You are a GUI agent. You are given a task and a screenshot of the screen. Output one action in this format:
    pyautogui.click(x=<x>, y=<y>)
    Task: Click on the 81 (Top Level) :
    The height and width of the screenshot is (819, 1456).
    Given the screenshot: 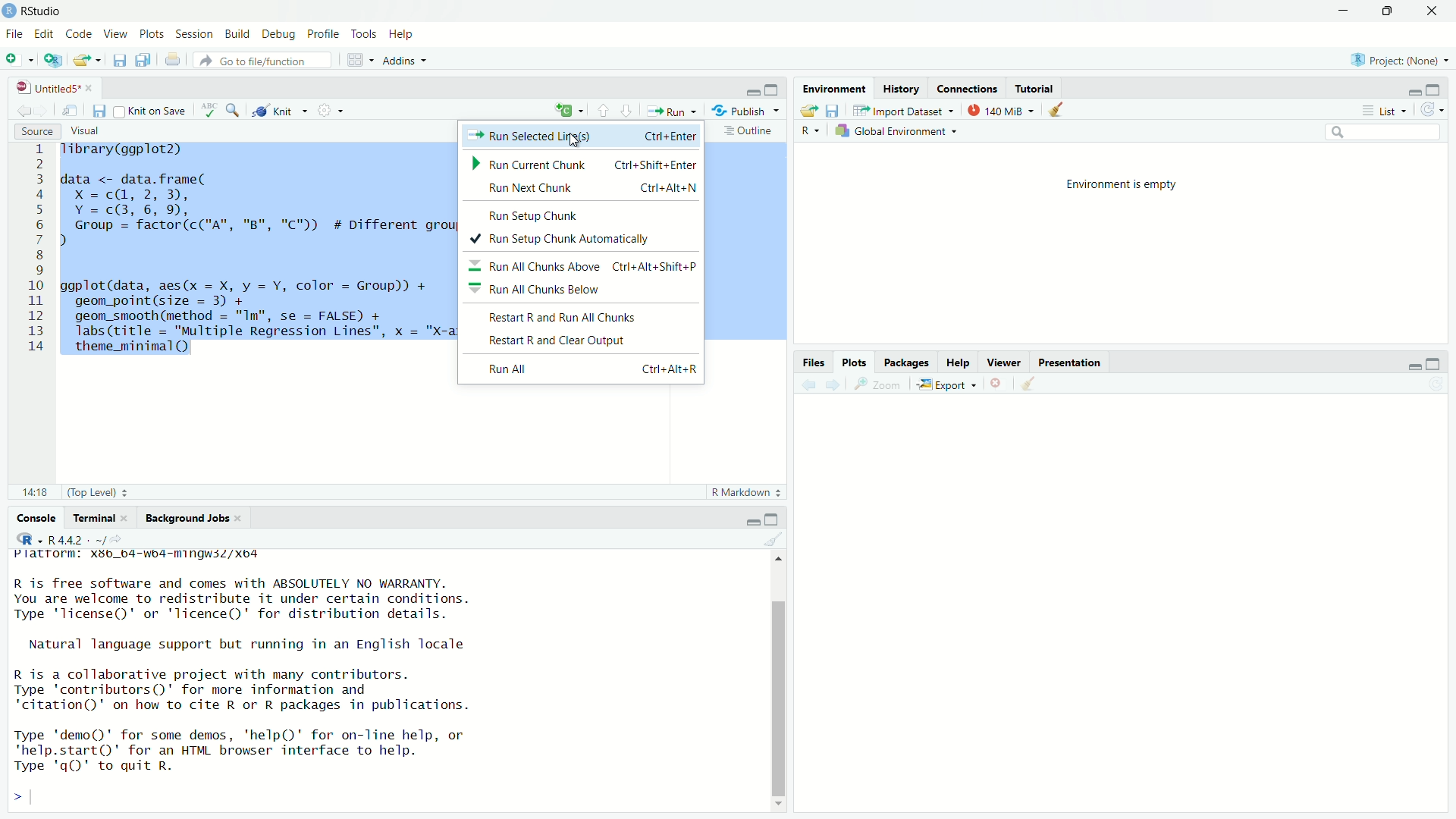 What is the action you would take?
    pyautogui.click(x=71, y=491)
    